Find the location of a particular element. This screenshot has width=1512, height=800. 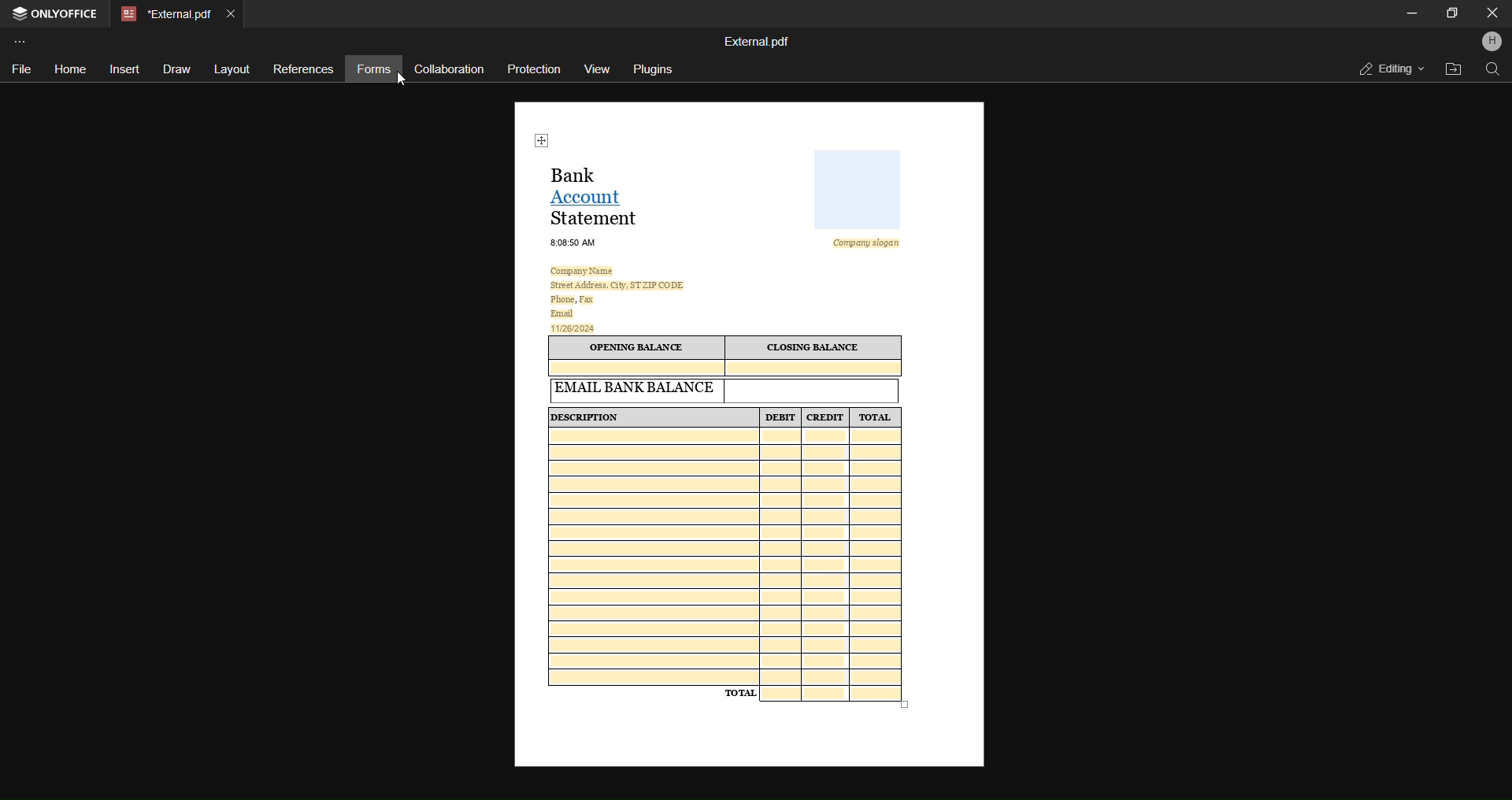

file is located at coordinates (24, 68).